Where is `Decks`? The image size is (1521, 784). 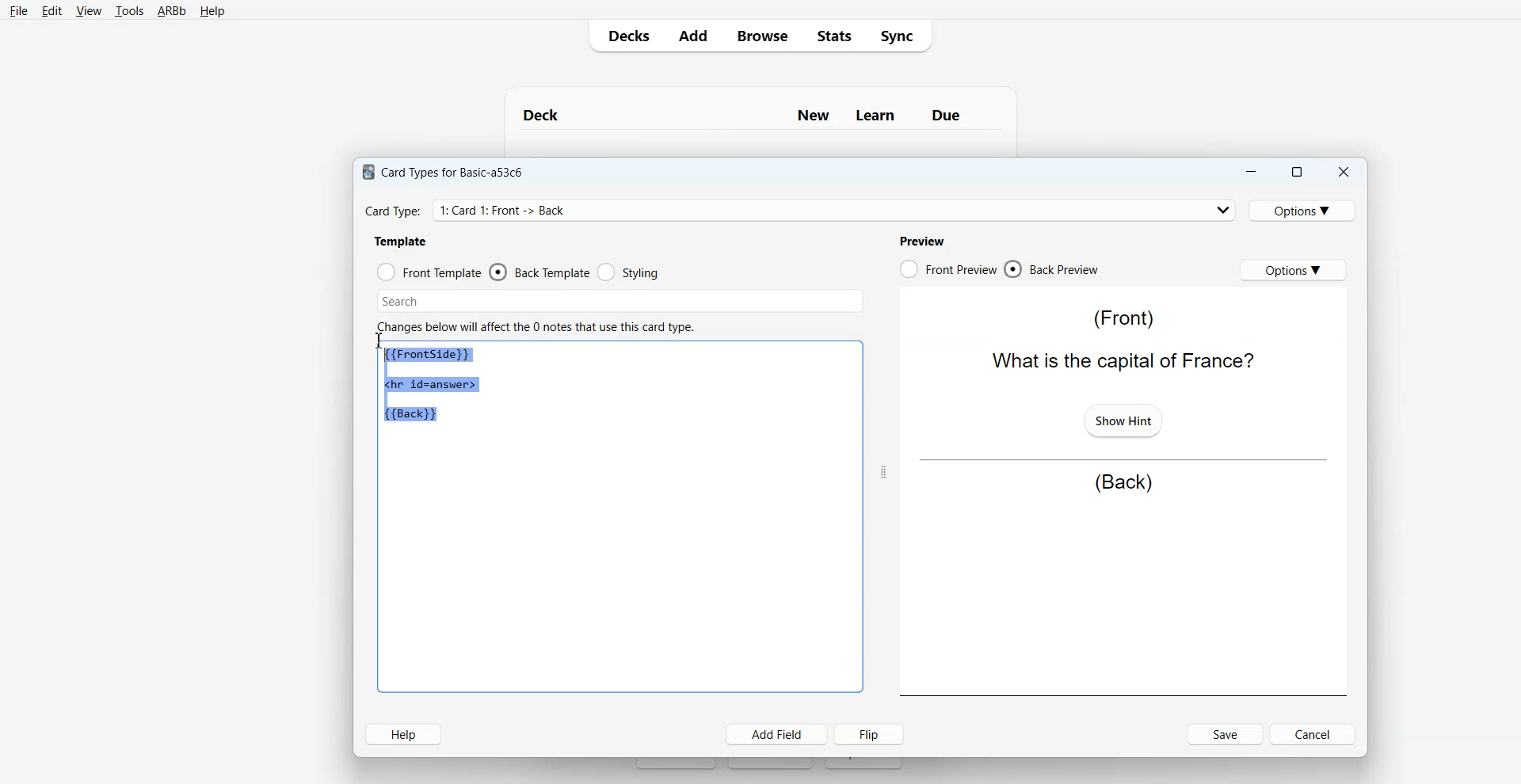
Decks is located at coordinates (625, 36).